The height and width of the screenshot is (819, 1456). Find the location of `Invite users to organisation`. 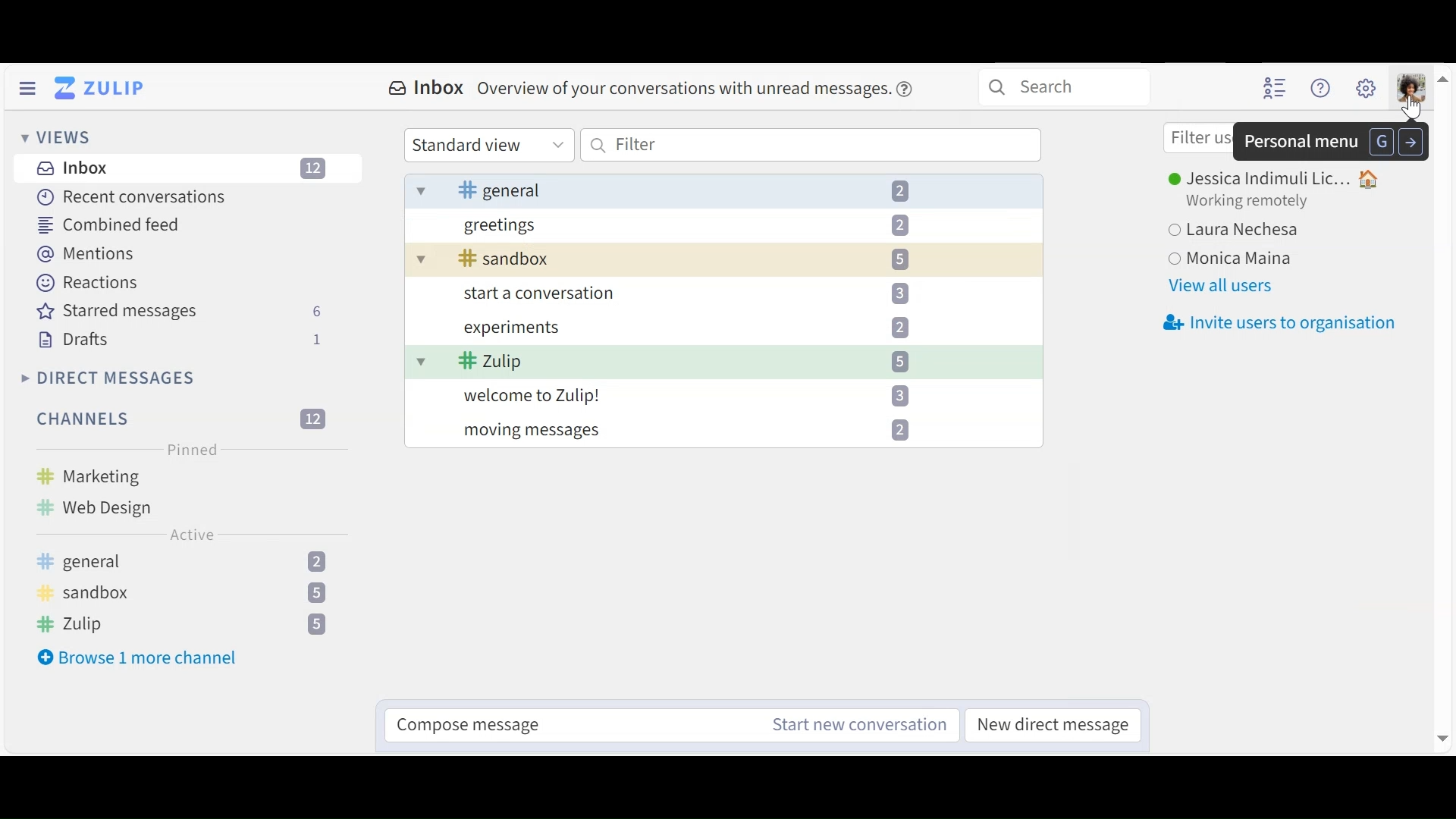

Invite users to organisation is located at coordinates (1287, 322).